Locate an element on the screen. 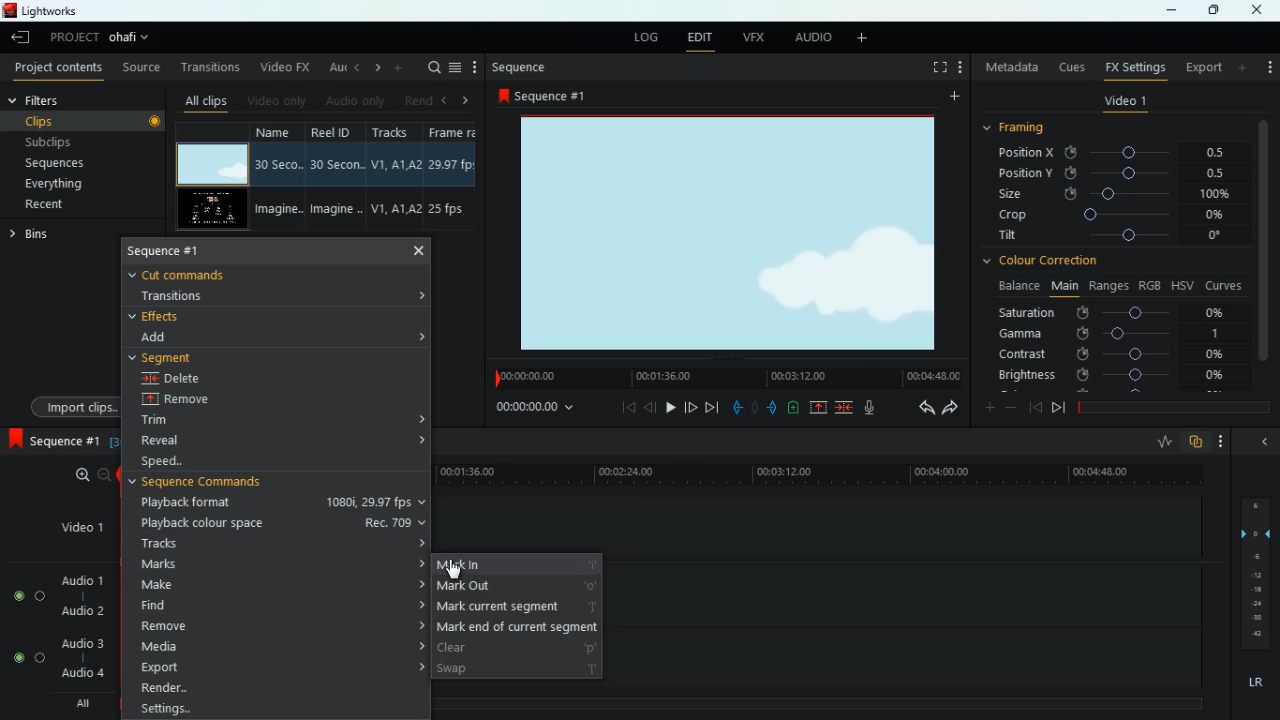 This screenshot has height=720, width=1280. merge is located at coordinates (845, 408).